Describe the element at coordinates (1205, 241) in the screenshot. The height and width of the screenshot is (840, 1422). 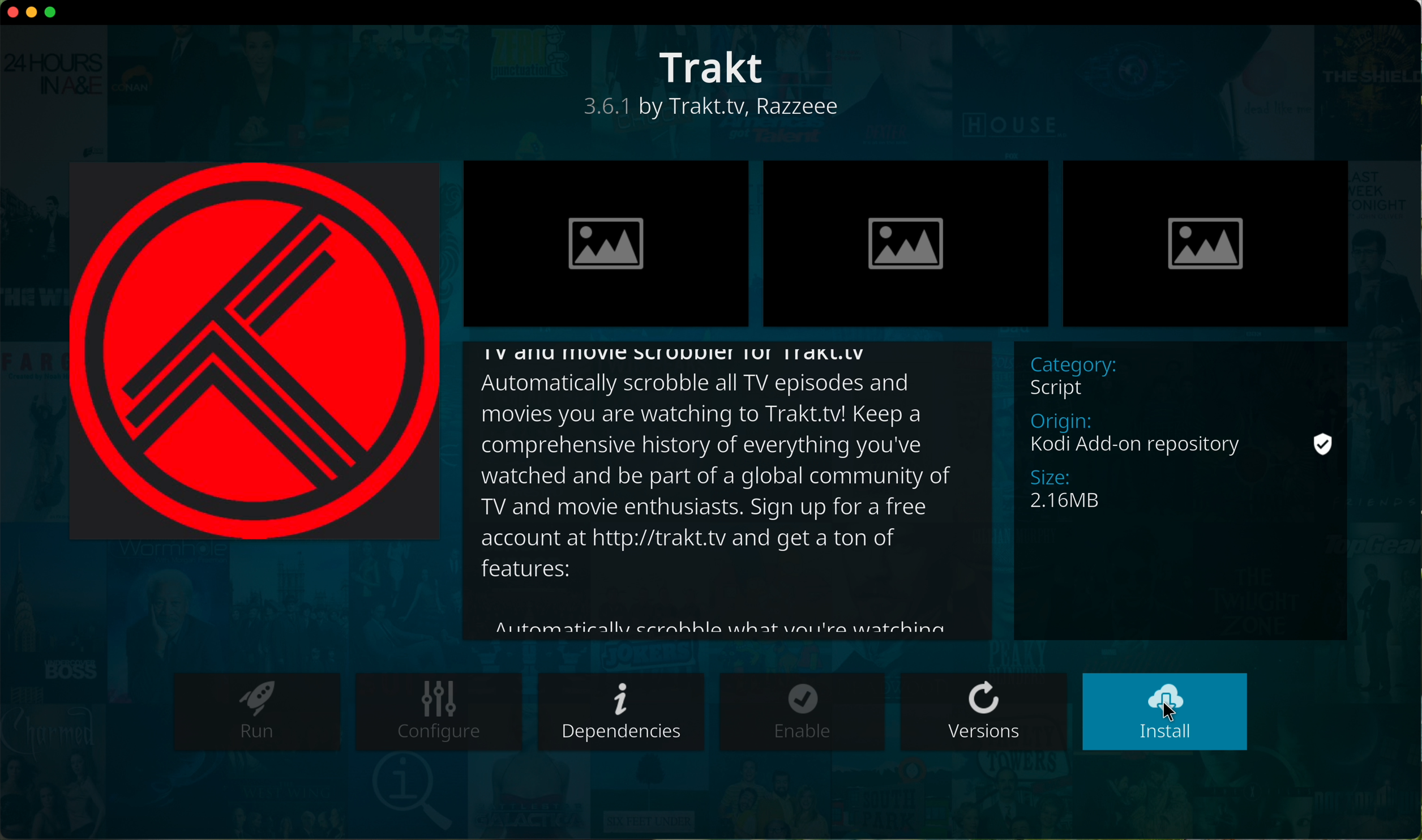
I see `image` at that location.